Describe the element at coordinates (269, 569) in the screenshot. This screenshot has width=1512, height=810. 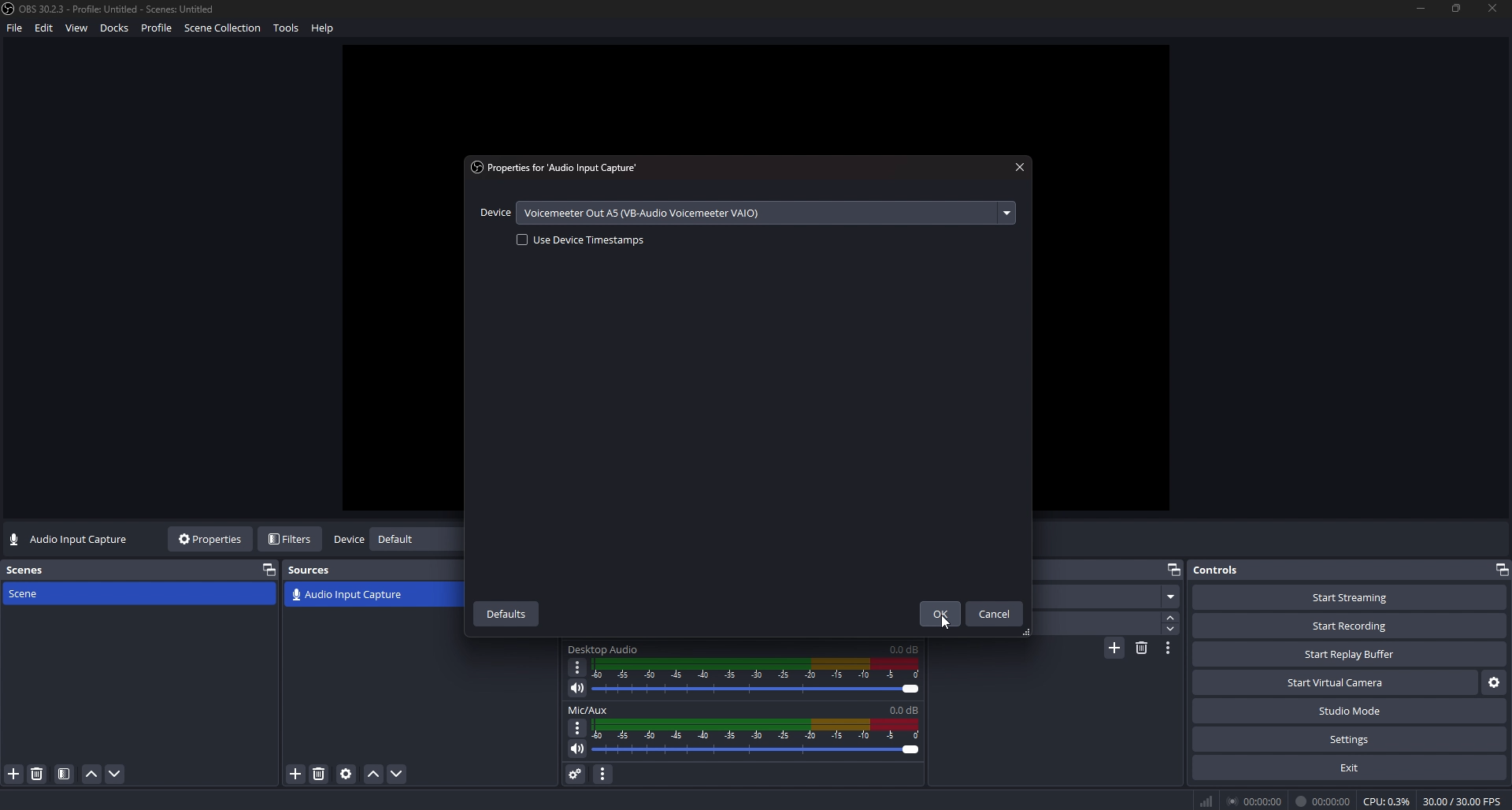
I see `pop out` at that location.